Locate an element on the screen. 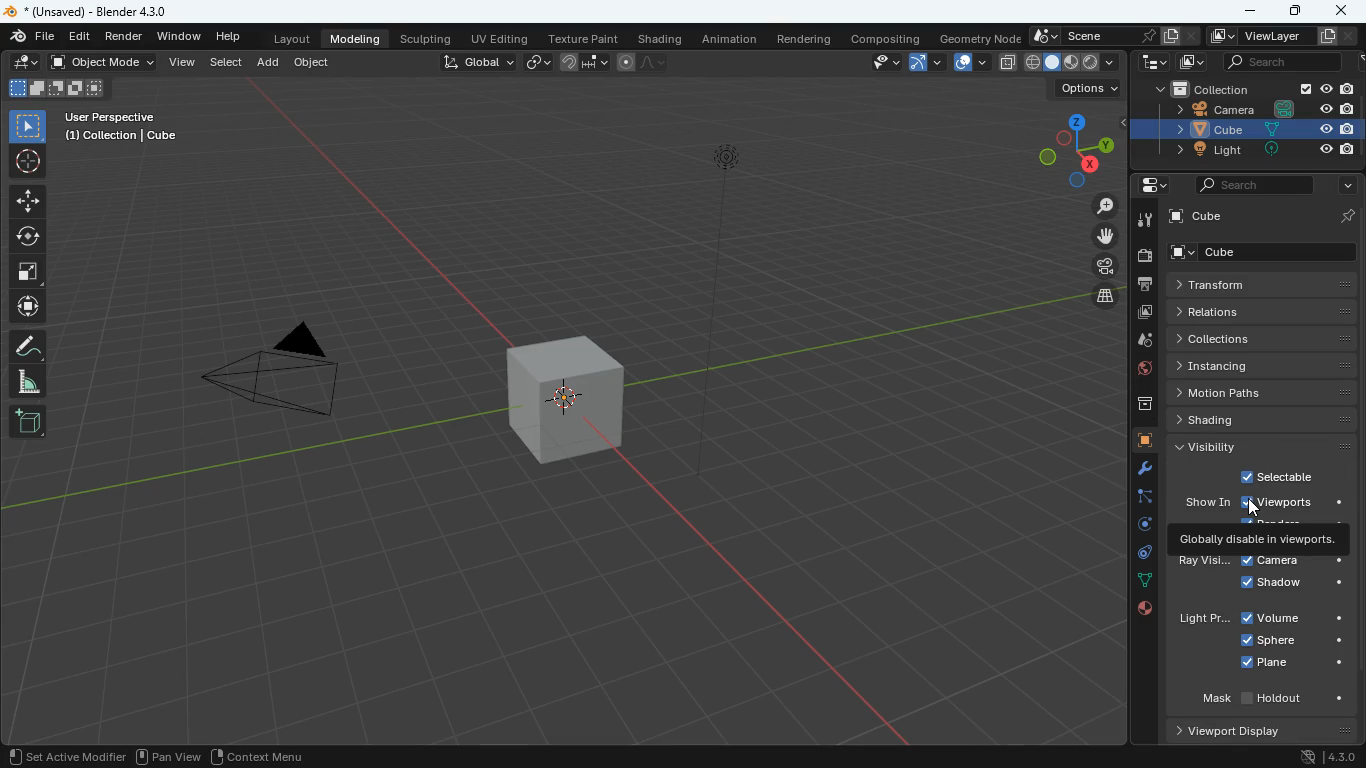  draw is located at coordinates (28, 346).